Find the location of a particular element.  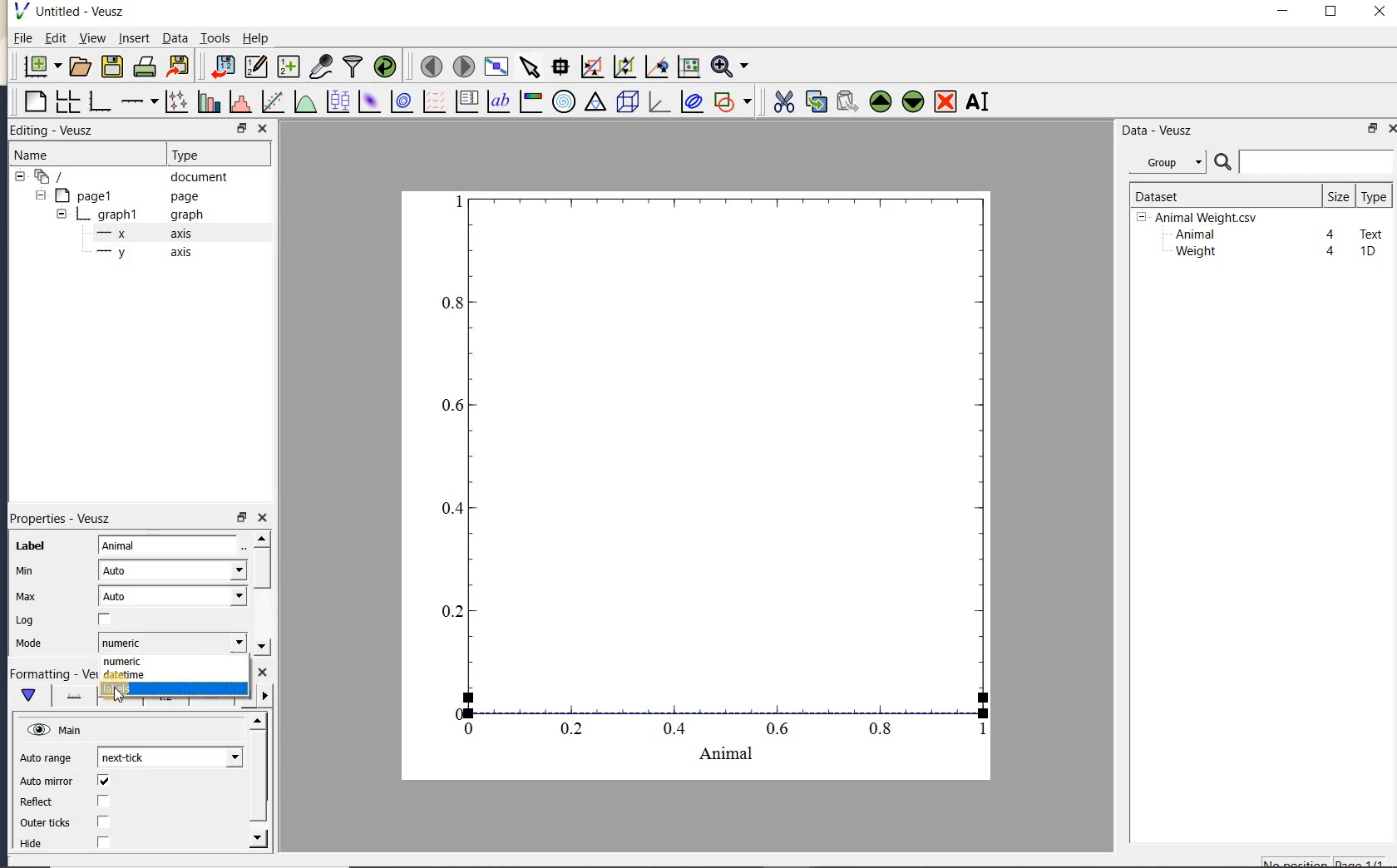

datetime is located at coordinates (124, 675).